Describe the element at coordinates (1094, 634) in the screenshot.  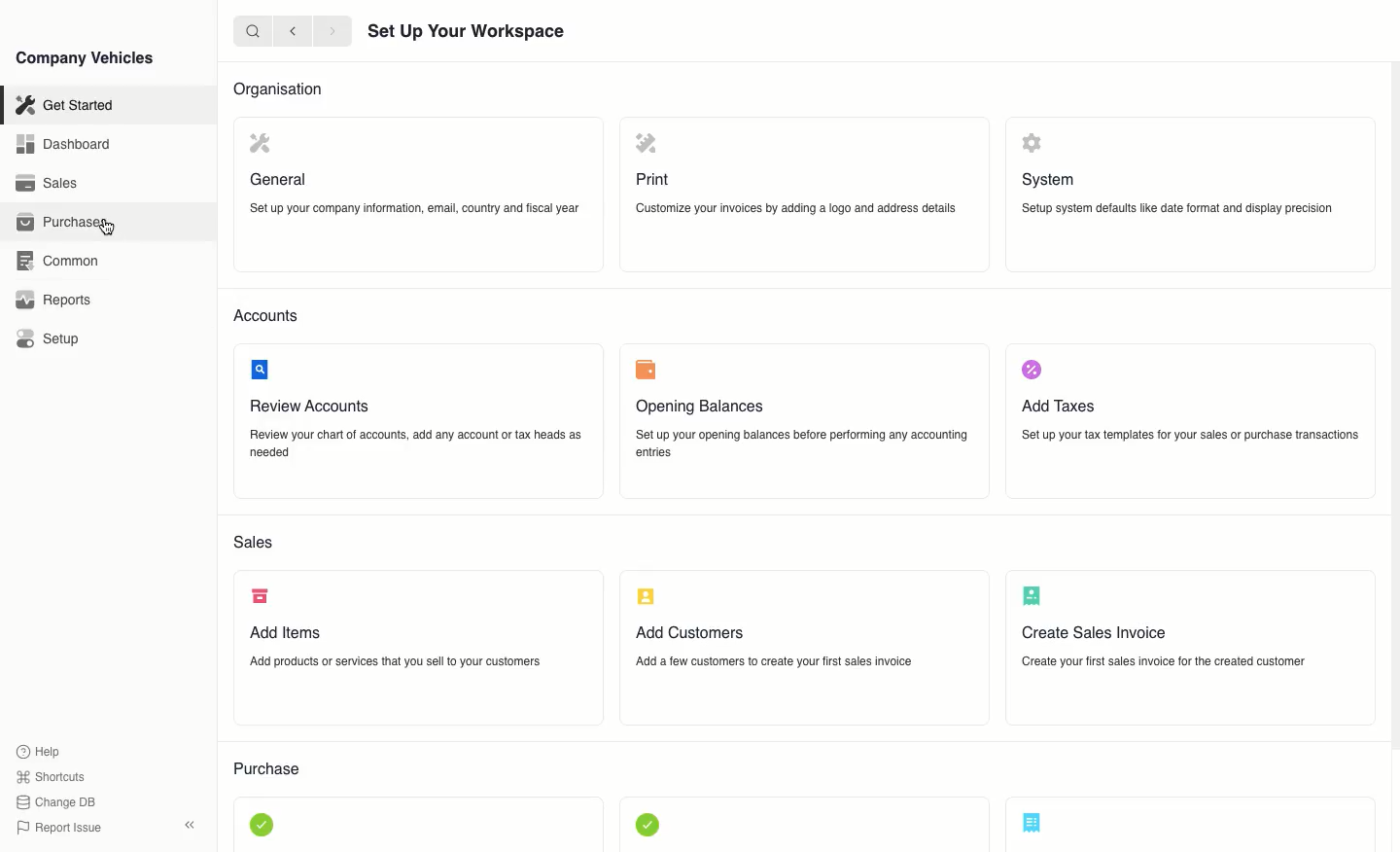
I see `Create Sales Invoice` at that location.